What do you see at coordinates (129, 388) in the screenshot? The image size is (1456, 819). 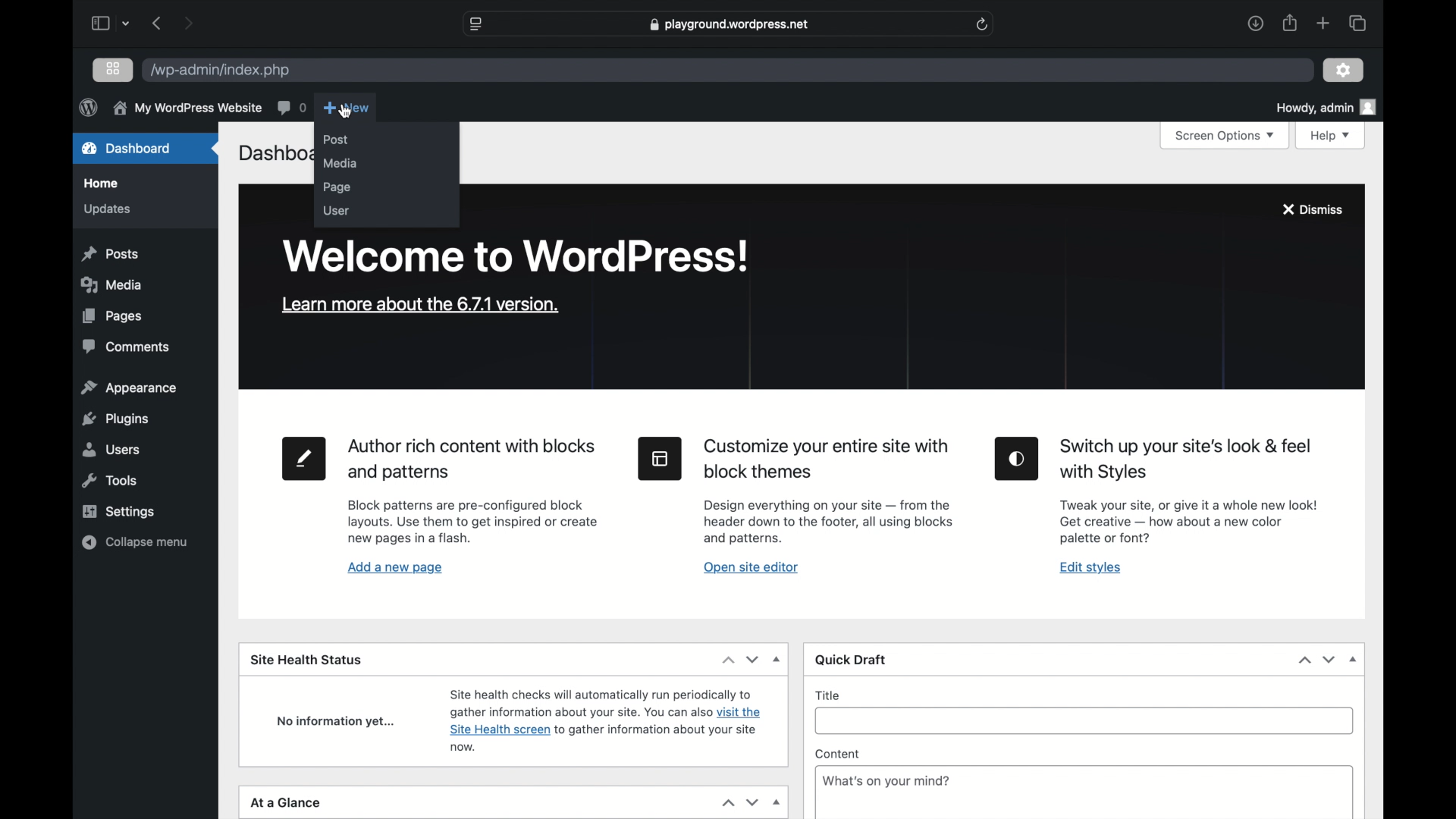 I see `appearance` at bounding box center [129, 388].